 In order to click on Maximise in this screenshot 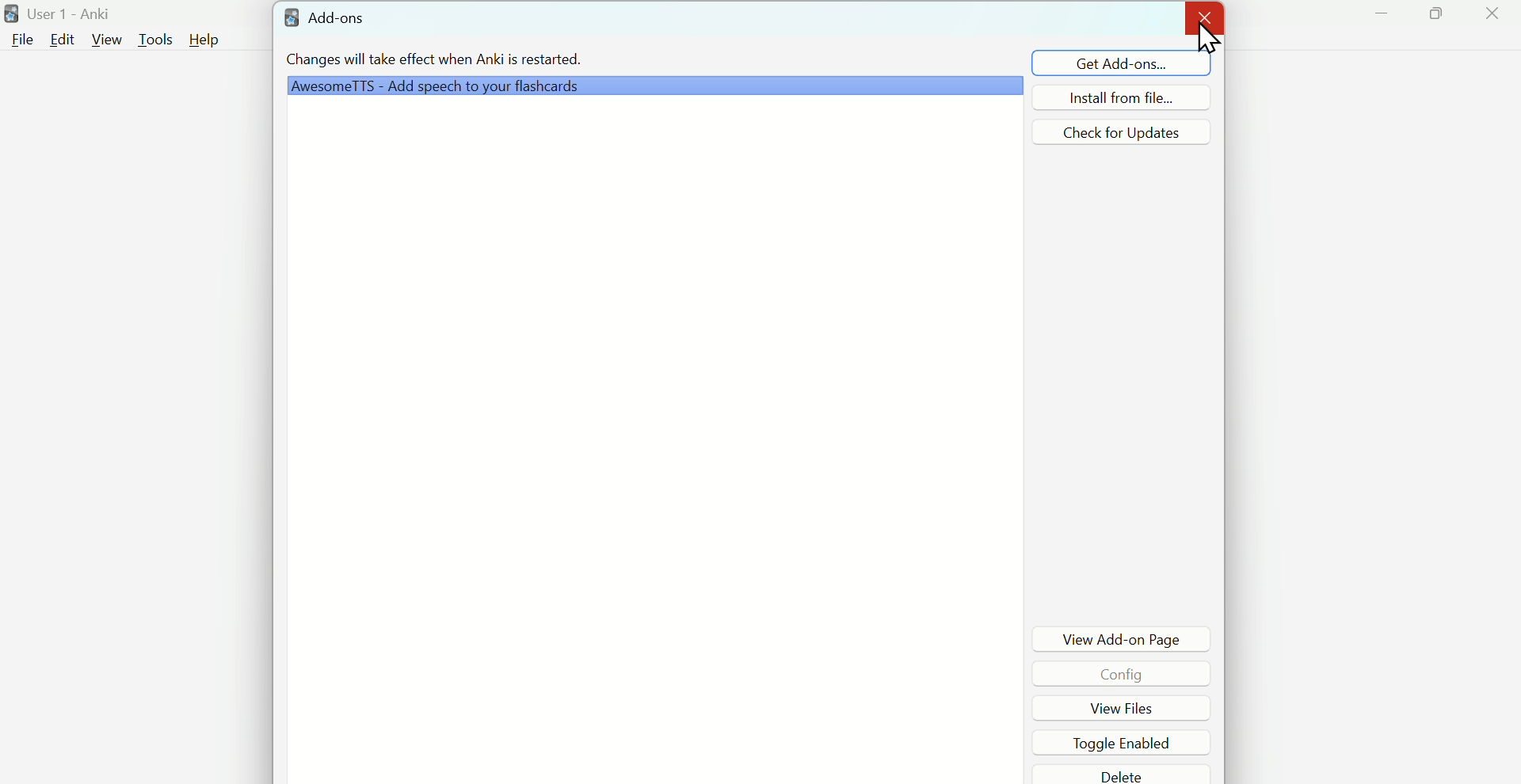, I will do `click(1443, 21)`.